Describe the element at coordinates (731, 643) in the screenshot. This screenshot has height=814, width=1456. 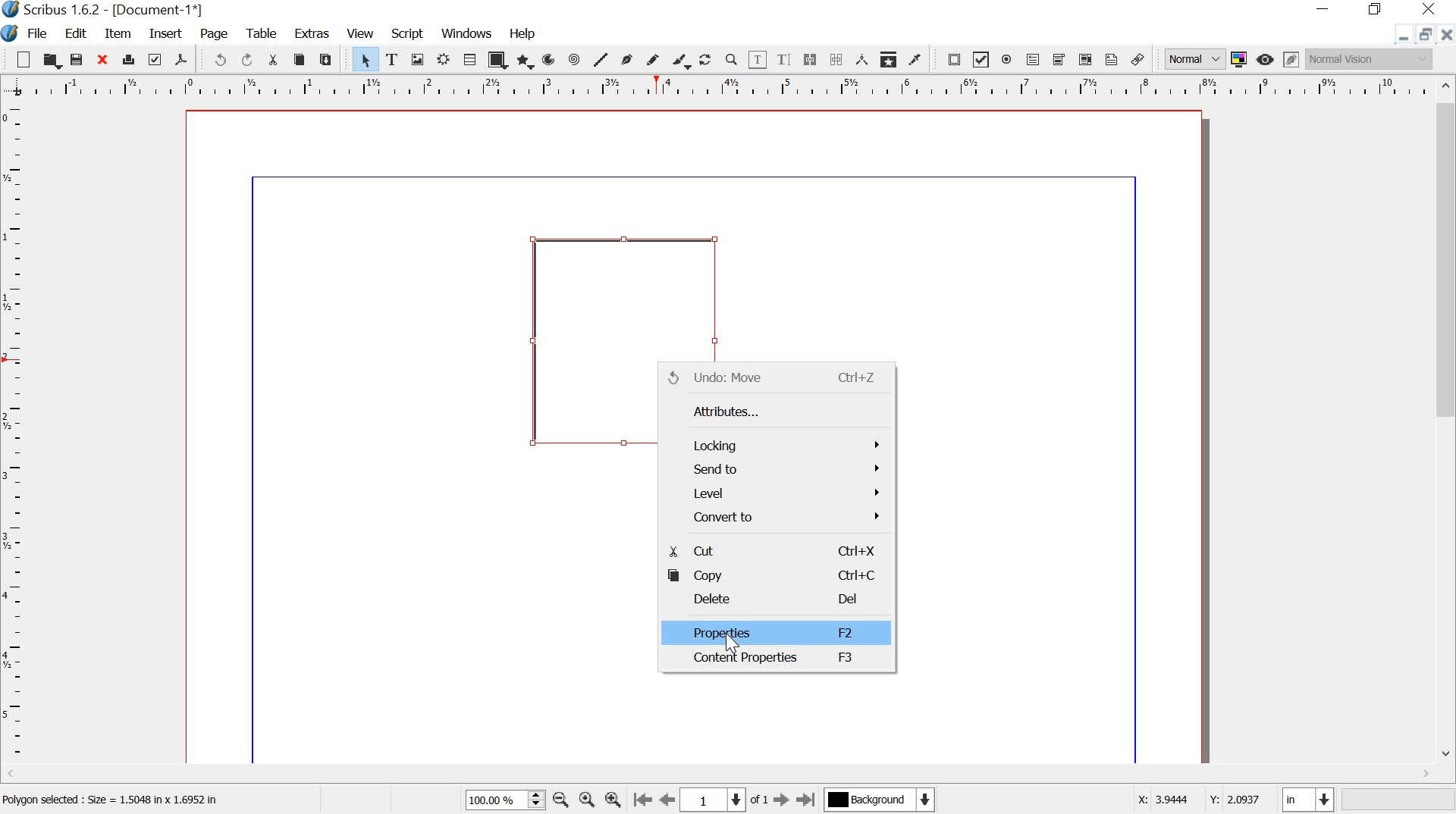
I see `cursor` at that location.